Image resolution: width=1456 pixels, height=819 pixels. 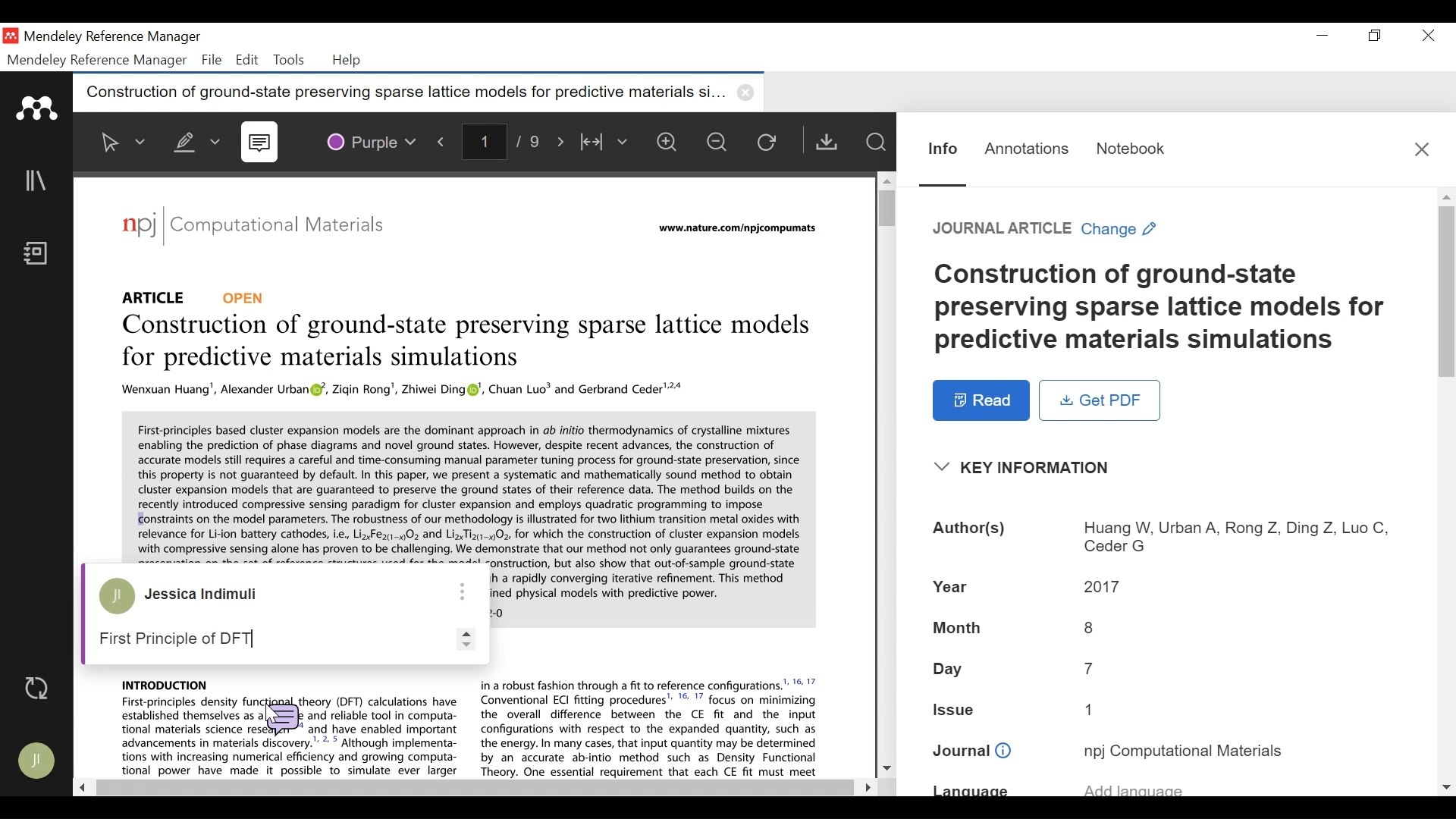 I want to click on Reload, so click(x=773, y=144).